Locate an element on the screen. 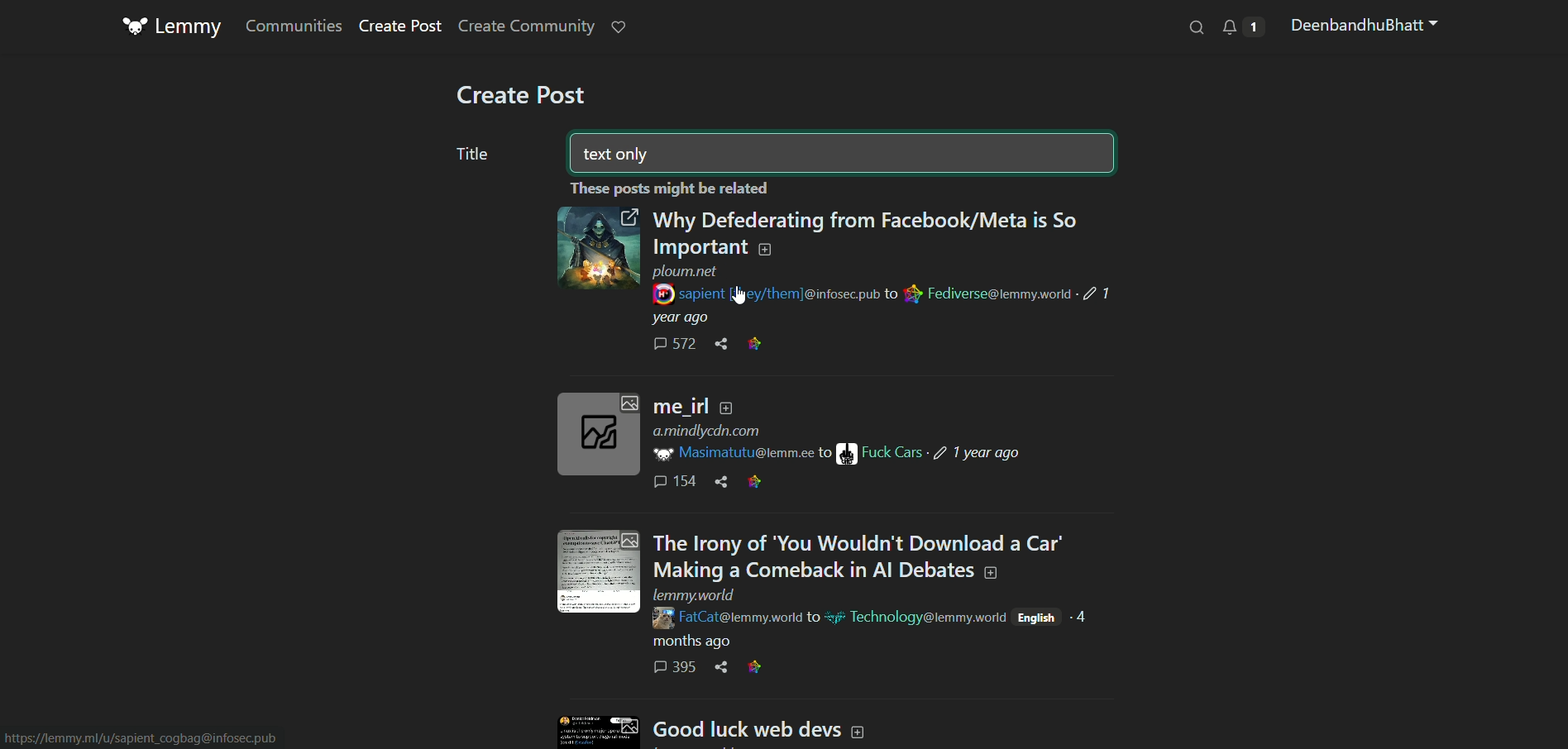 The width and height of the screenshot is (1568, 749). text box is located at coordinates (843, 152).